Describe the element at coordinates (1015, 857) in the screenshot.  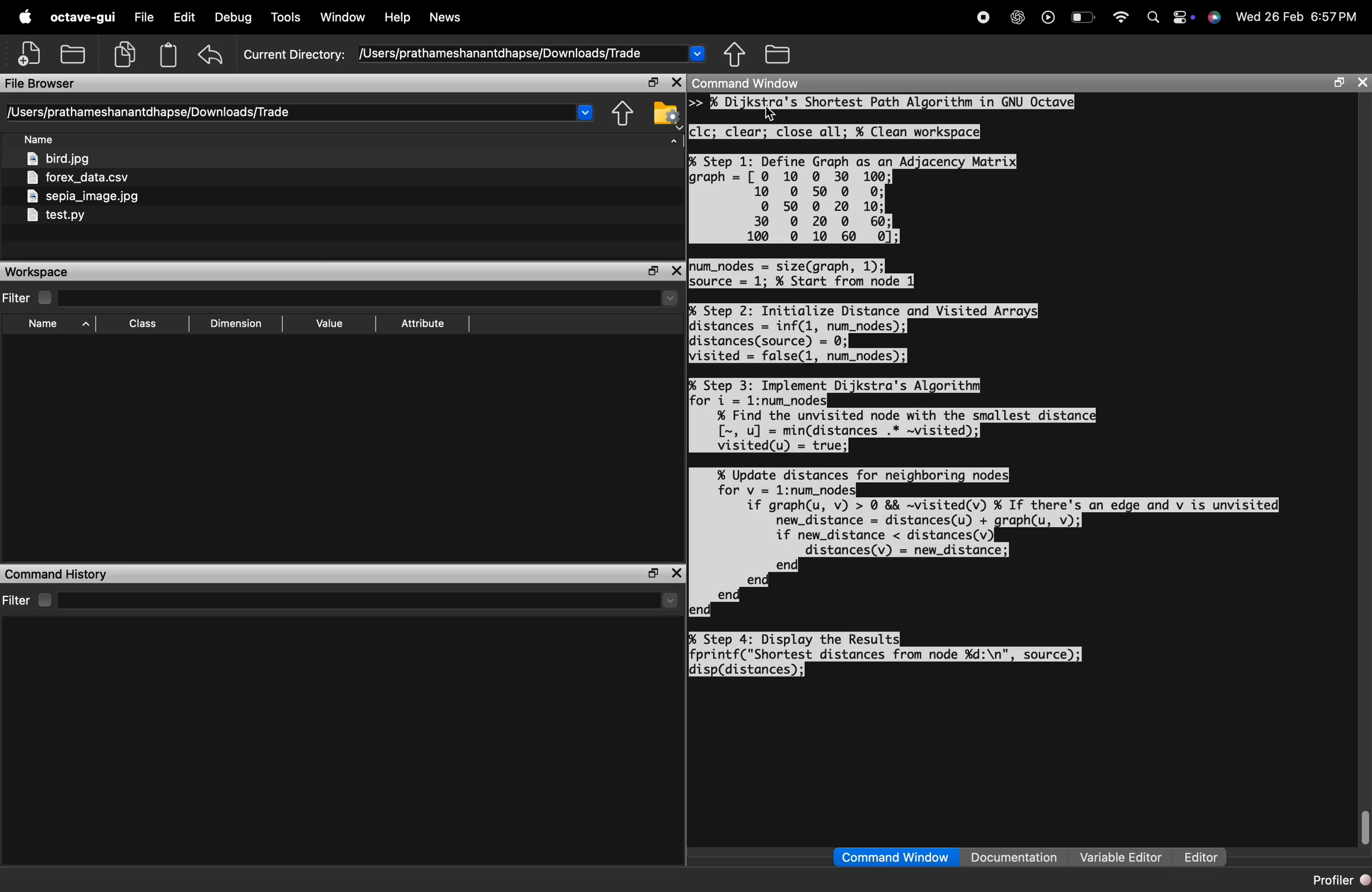
I see `documentation` at that location.